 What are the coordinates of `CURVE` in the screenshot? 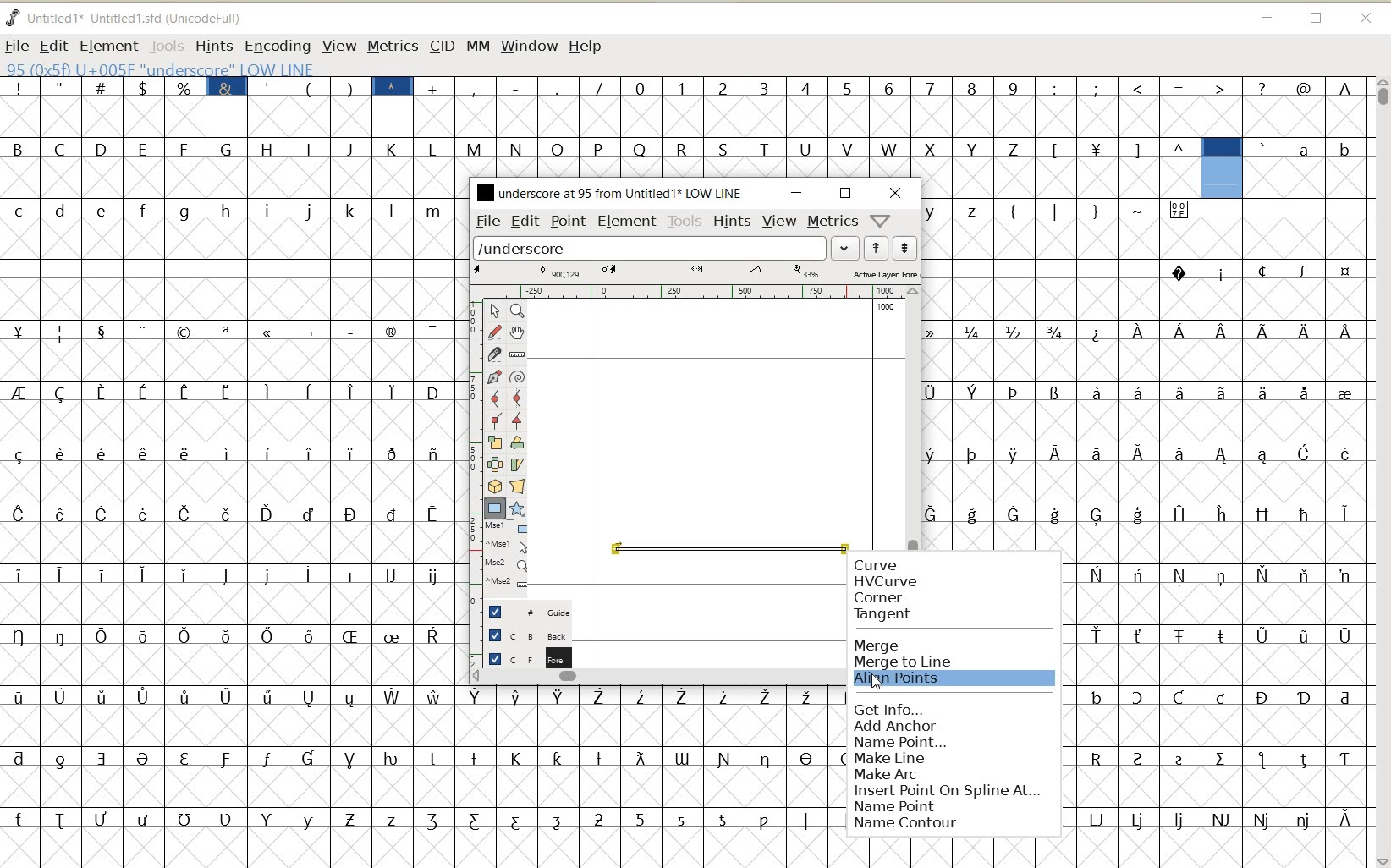 It's located at (896, 565).